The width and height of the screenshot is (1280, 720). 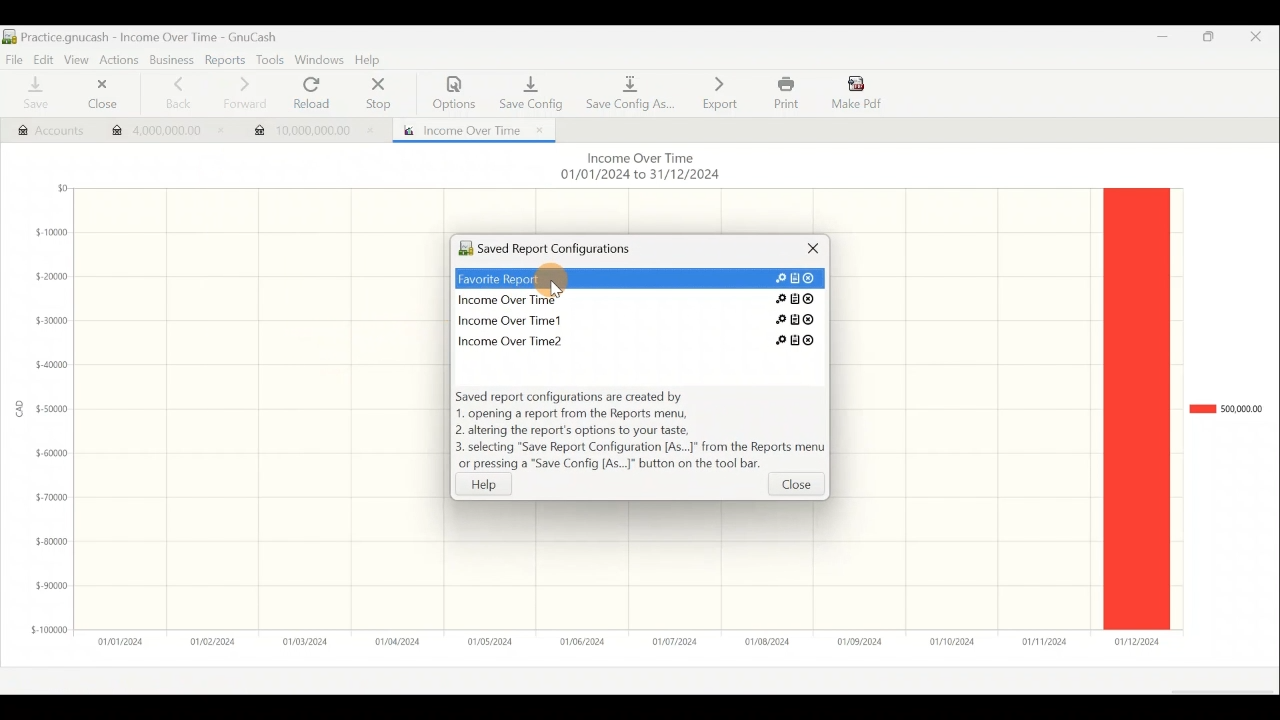 I want to click on Reports, so click(x=227, y=60).